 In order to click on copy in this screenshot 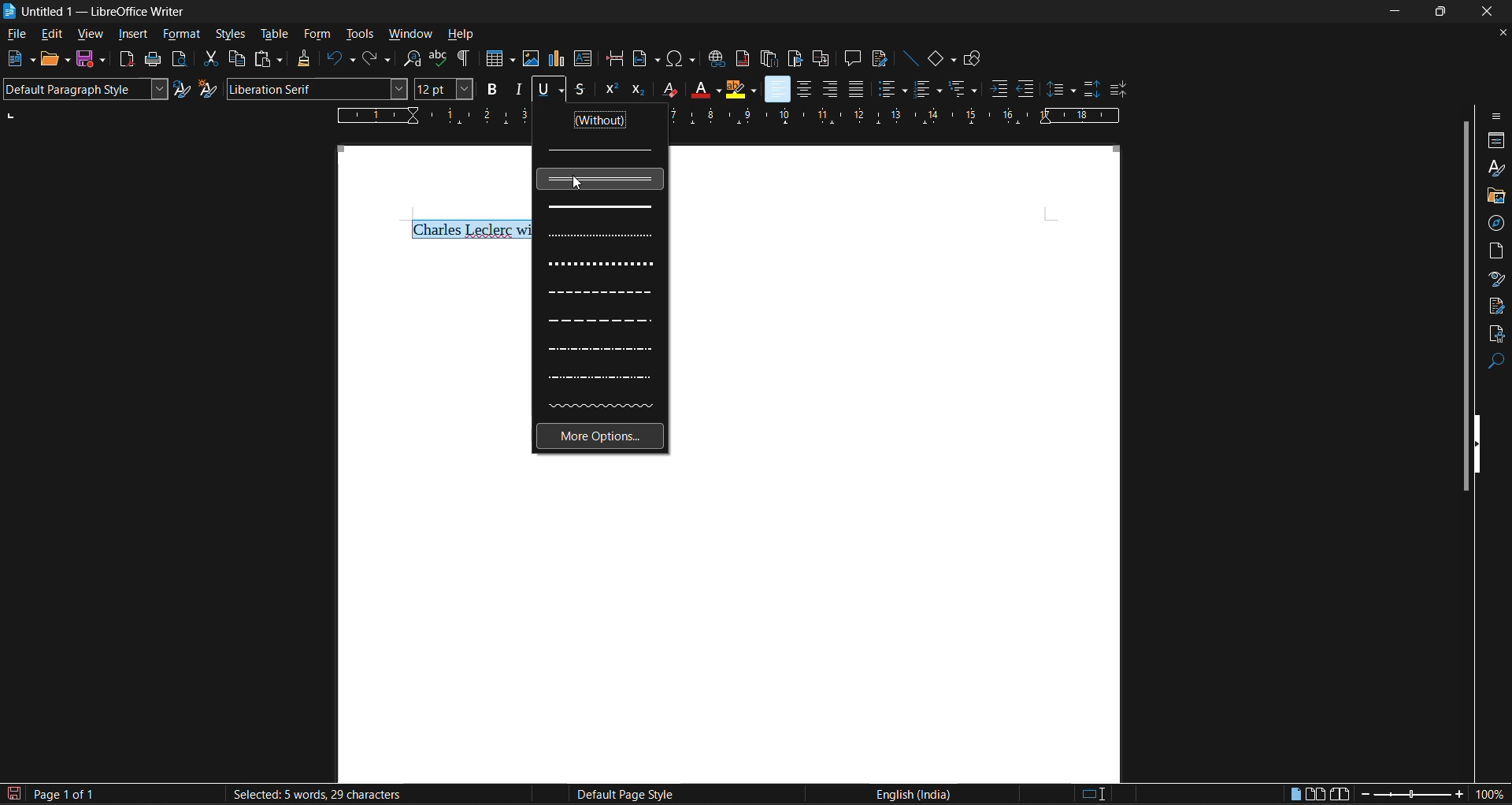, I will do `click(235, 58)`.